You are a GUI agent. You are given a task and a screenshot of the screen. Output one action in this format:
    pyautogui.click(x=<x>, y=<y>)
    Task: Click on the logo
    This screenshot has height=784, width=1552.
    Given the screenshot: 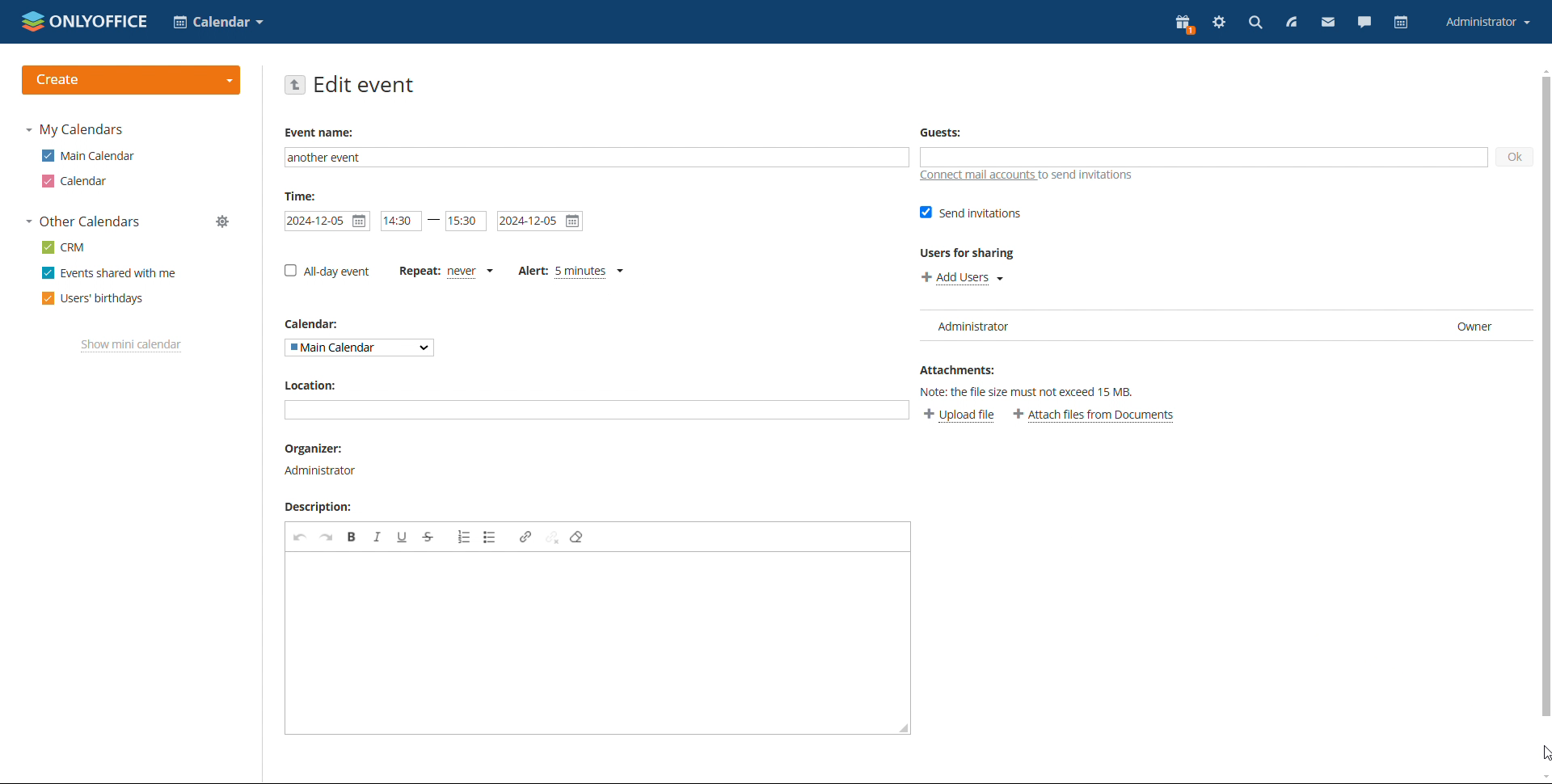 What is the action you would take?
    pyautogui.click(x=86, y=21)
    